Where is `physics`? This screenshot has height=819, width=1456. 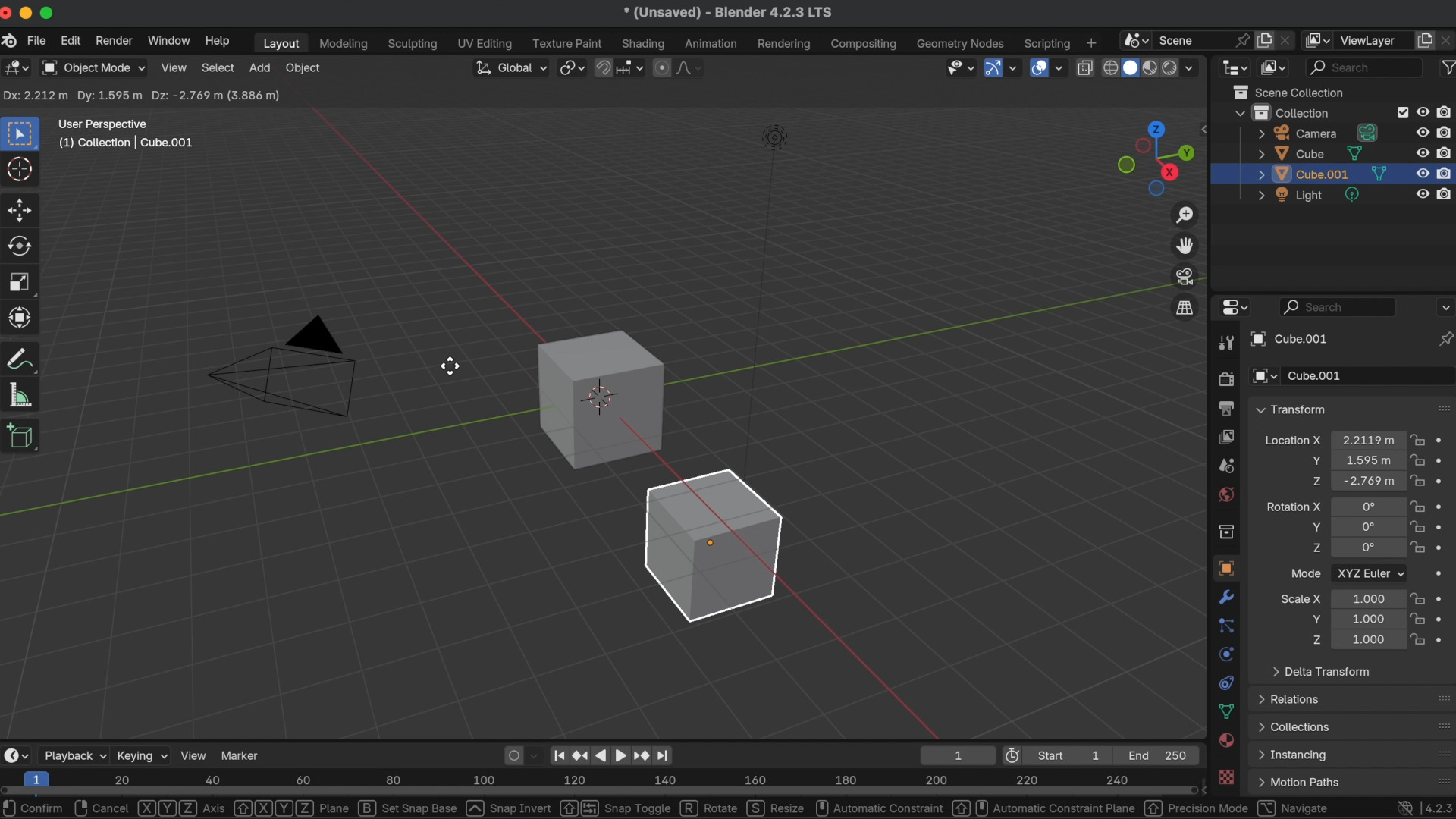
physics is located at coordinates (1225, 654).